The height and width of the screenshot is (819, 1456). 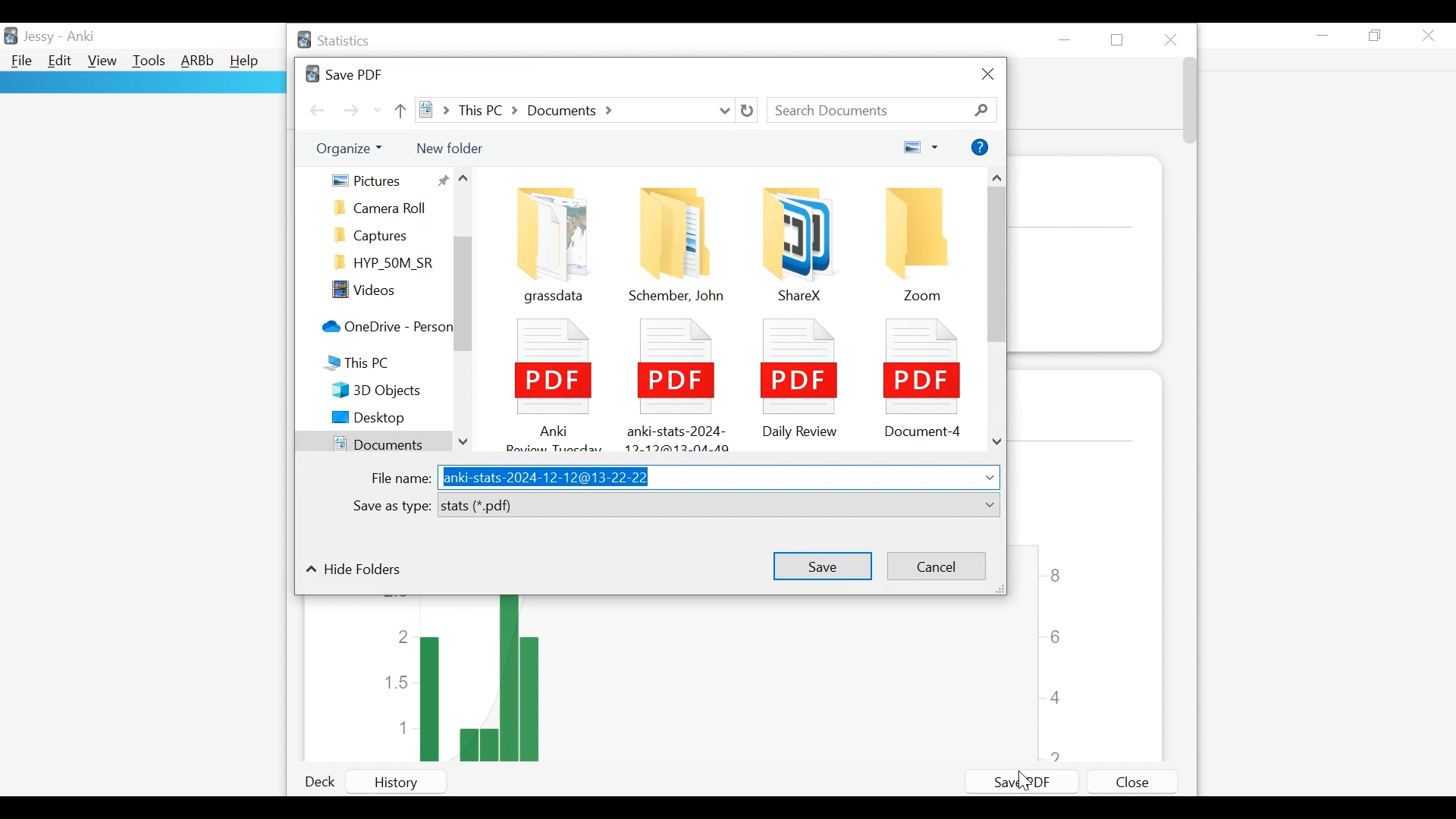 I want to click on Folder, so click(x=791, y=240).